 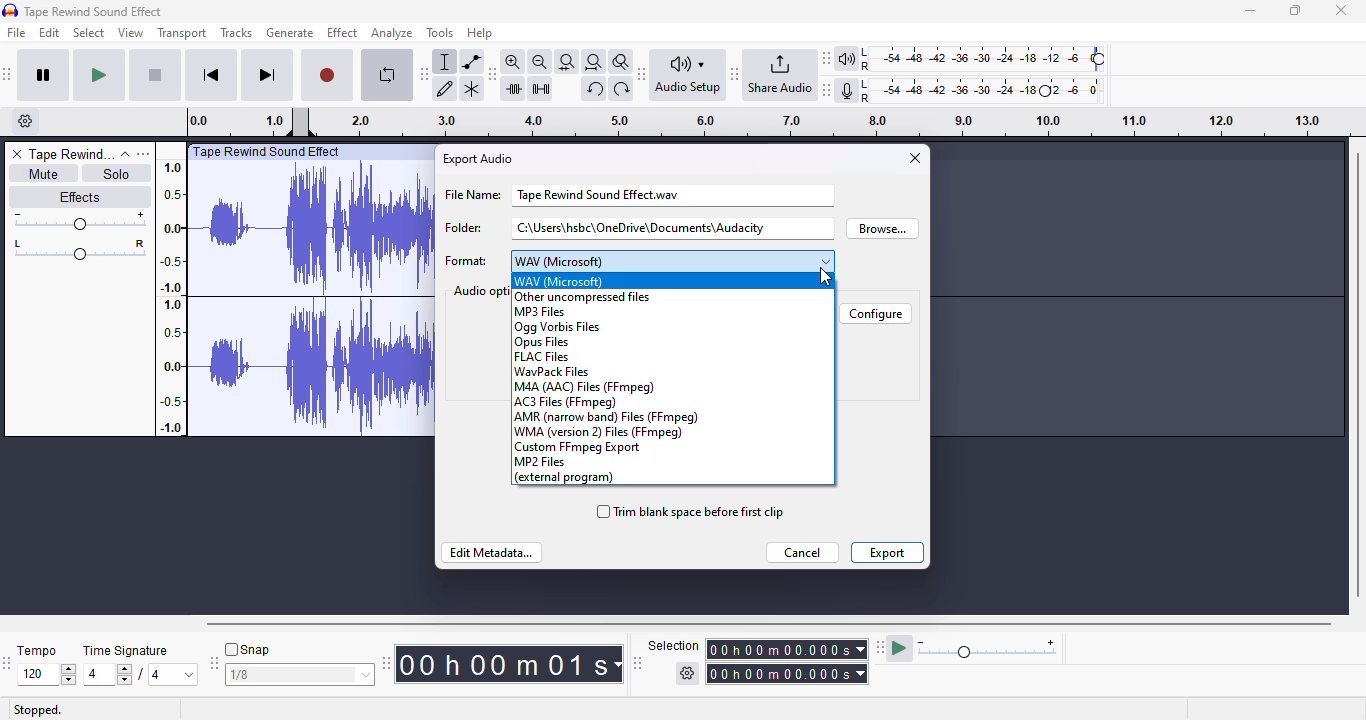 I want to click on WMA (version 2) files (FFmpeg), so click(x=597, y=433).